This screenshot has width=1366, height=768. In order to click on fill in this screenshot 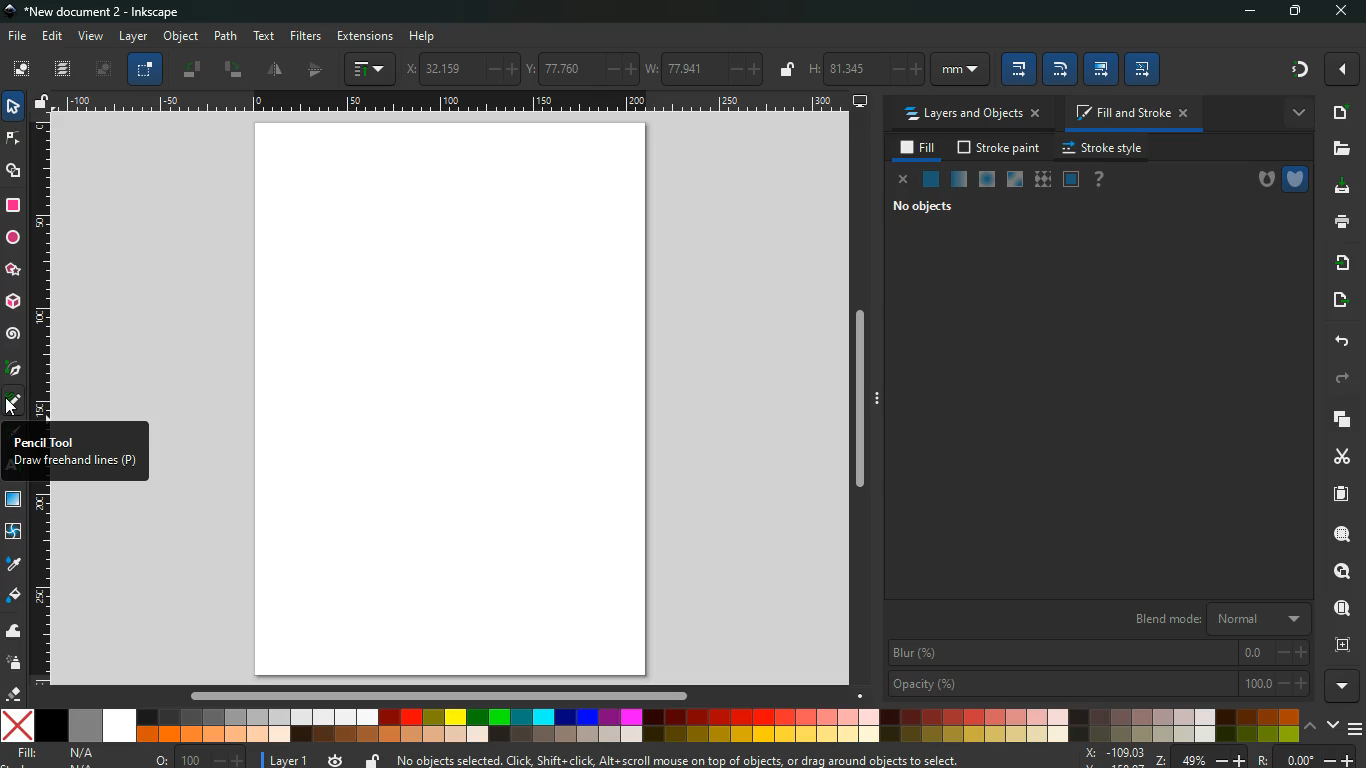, I will do `click(14, 596)`.